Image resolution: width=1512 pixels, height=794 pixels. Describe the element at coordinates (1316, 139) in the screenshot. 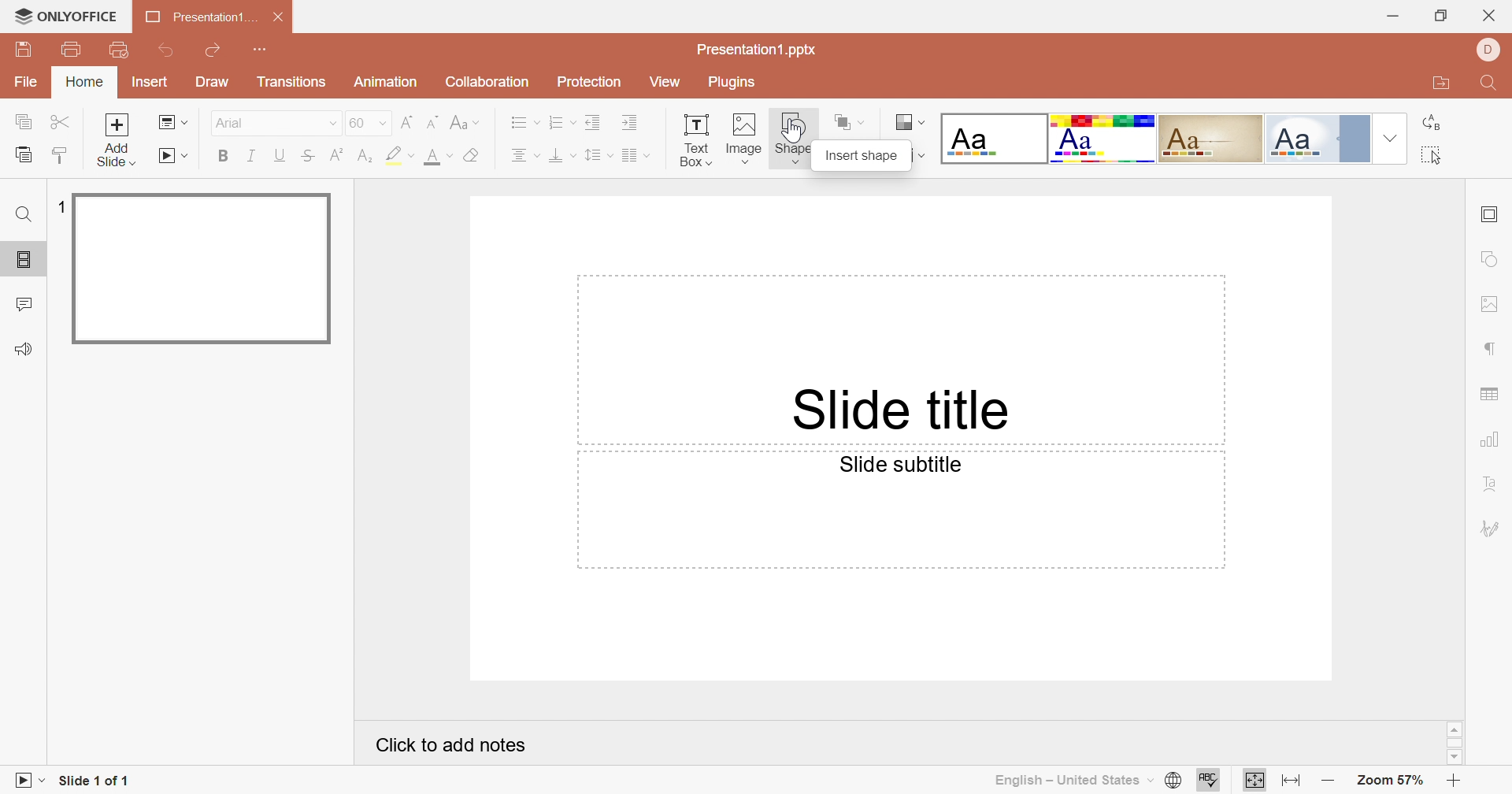

I see `Official` at that location.